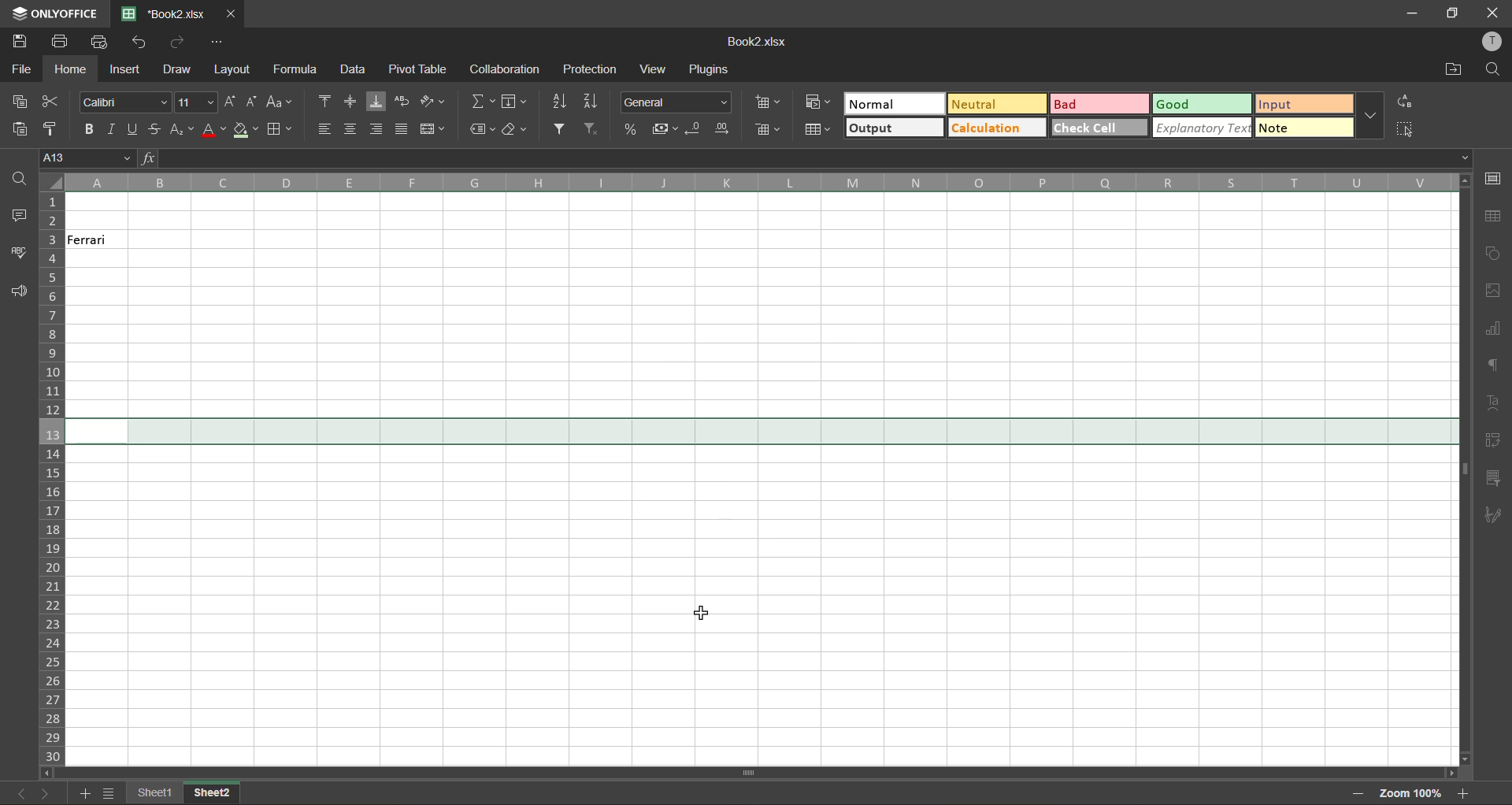  Describe the element at coordinates (1200, 105) in the screenshot. I see `good` at that location.